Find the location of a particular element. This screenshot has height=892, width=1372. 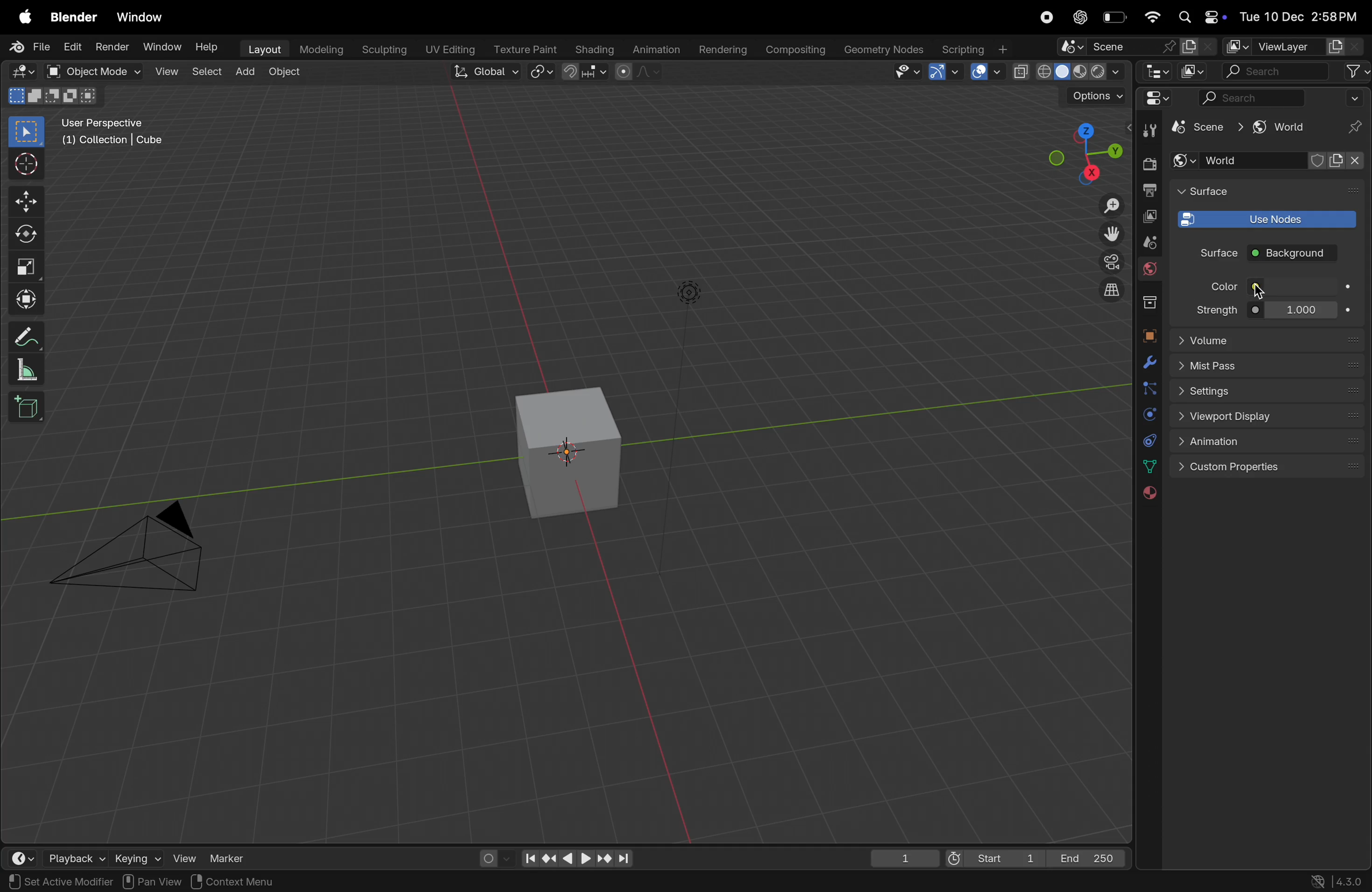

Chatgpt is located at coordinates (1079, 17).